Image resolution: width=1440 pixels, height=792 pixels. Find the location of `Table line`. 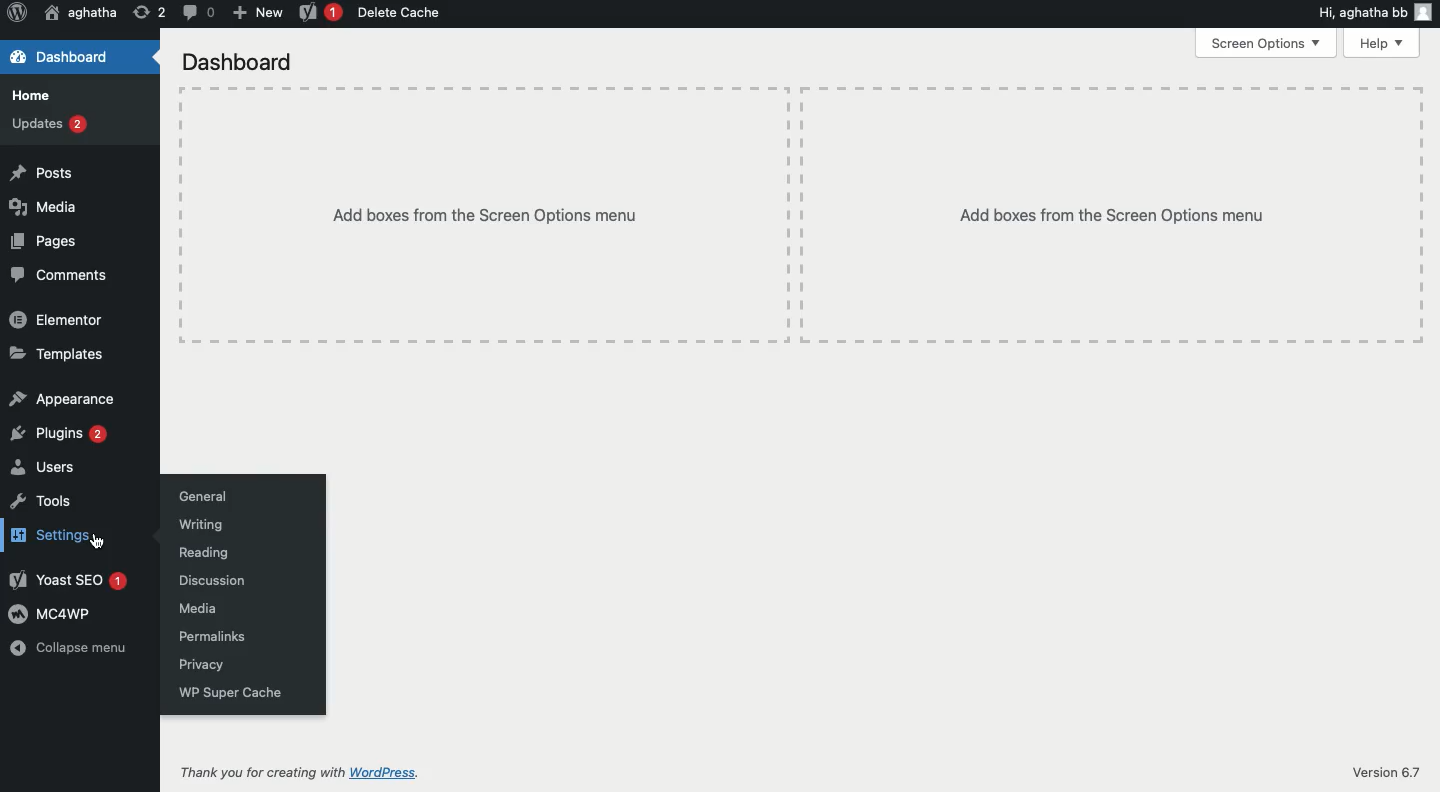

Table line is located at coordinates (1420, 216).